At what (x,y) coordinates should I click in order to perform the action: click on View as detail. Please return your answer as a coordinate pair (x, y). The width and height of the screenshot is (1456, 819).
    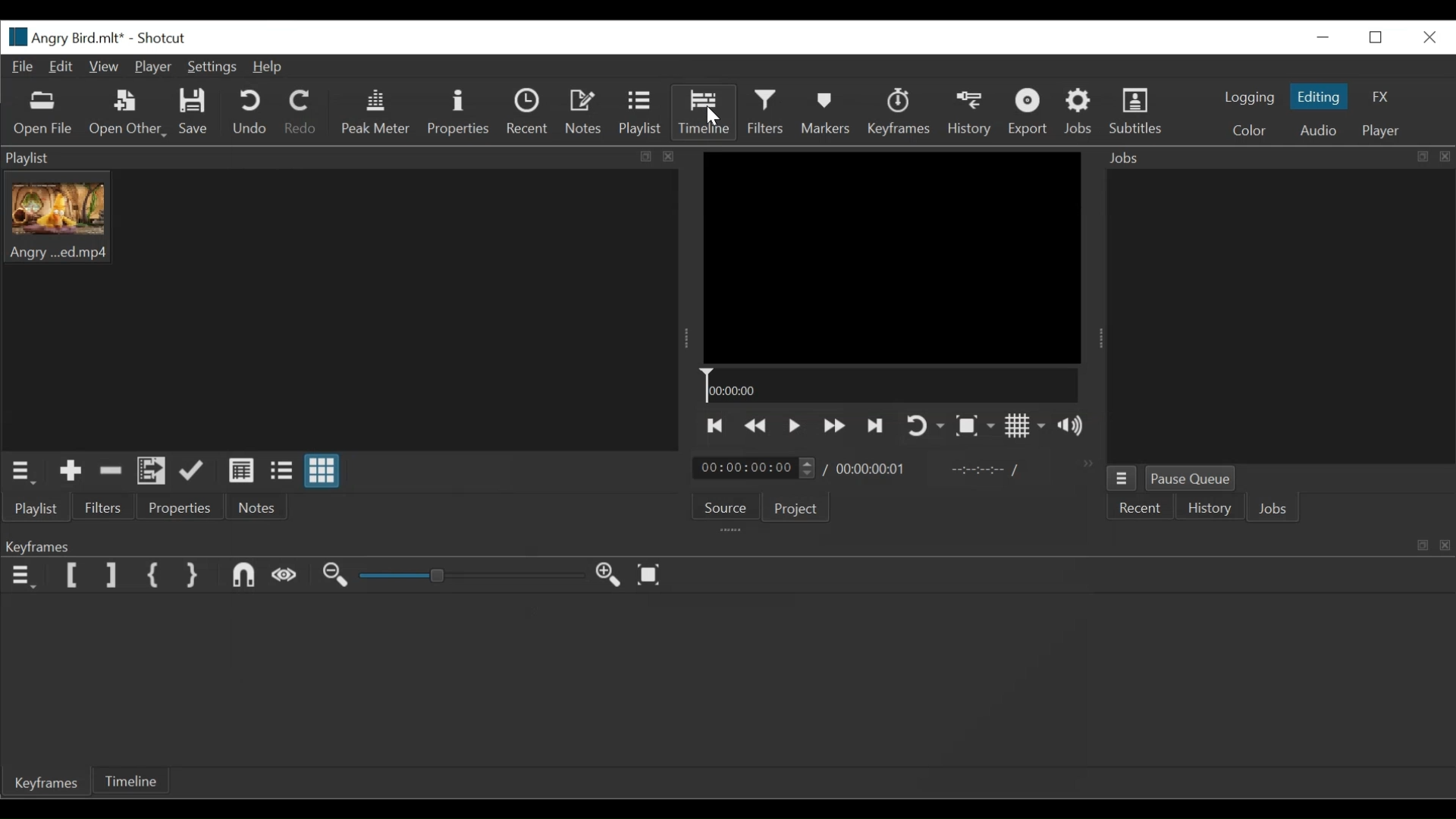
    Looking at the image, I should click on (242, 472).